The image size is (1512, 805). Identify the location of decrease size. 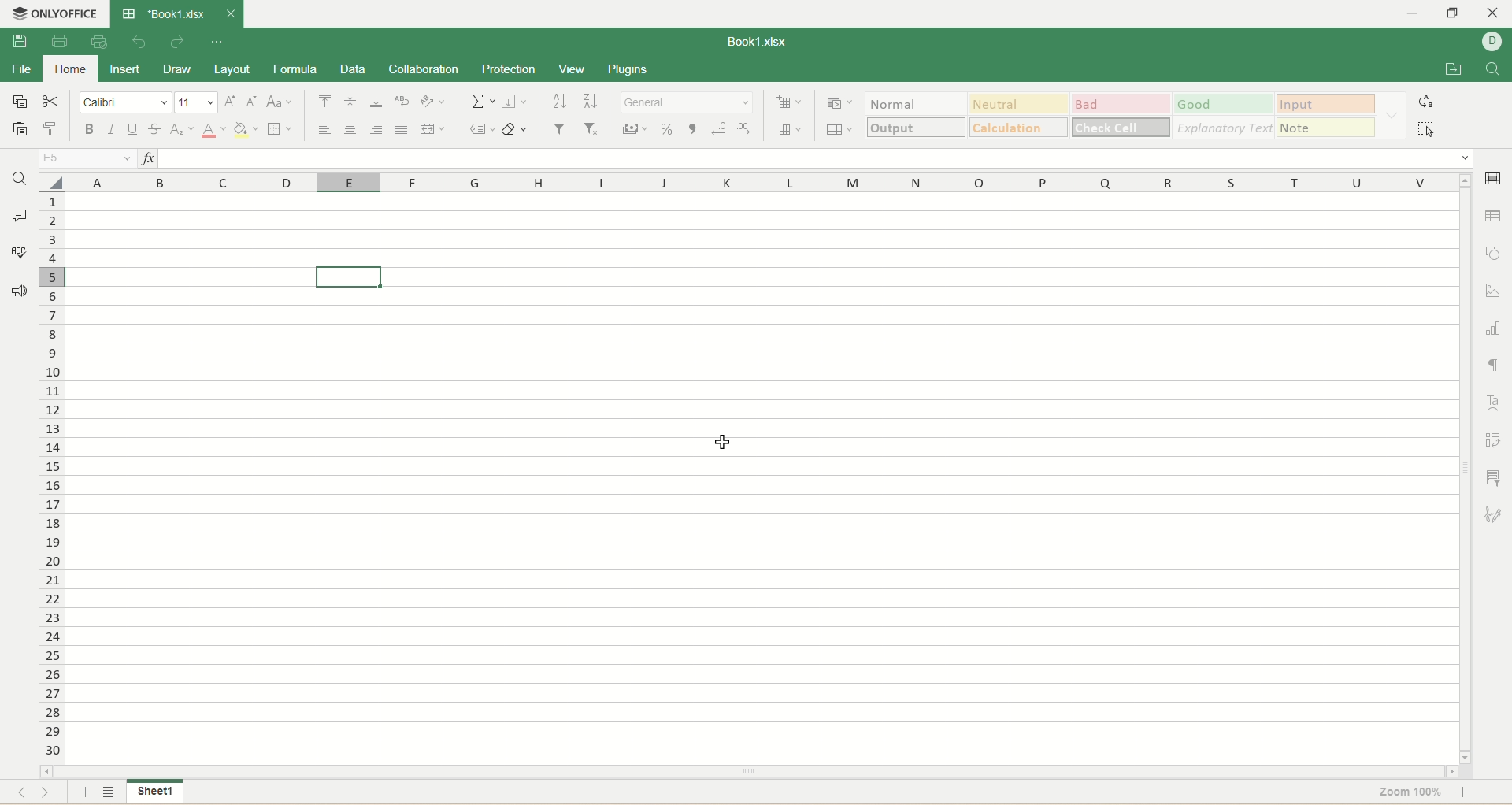
(254, 101).